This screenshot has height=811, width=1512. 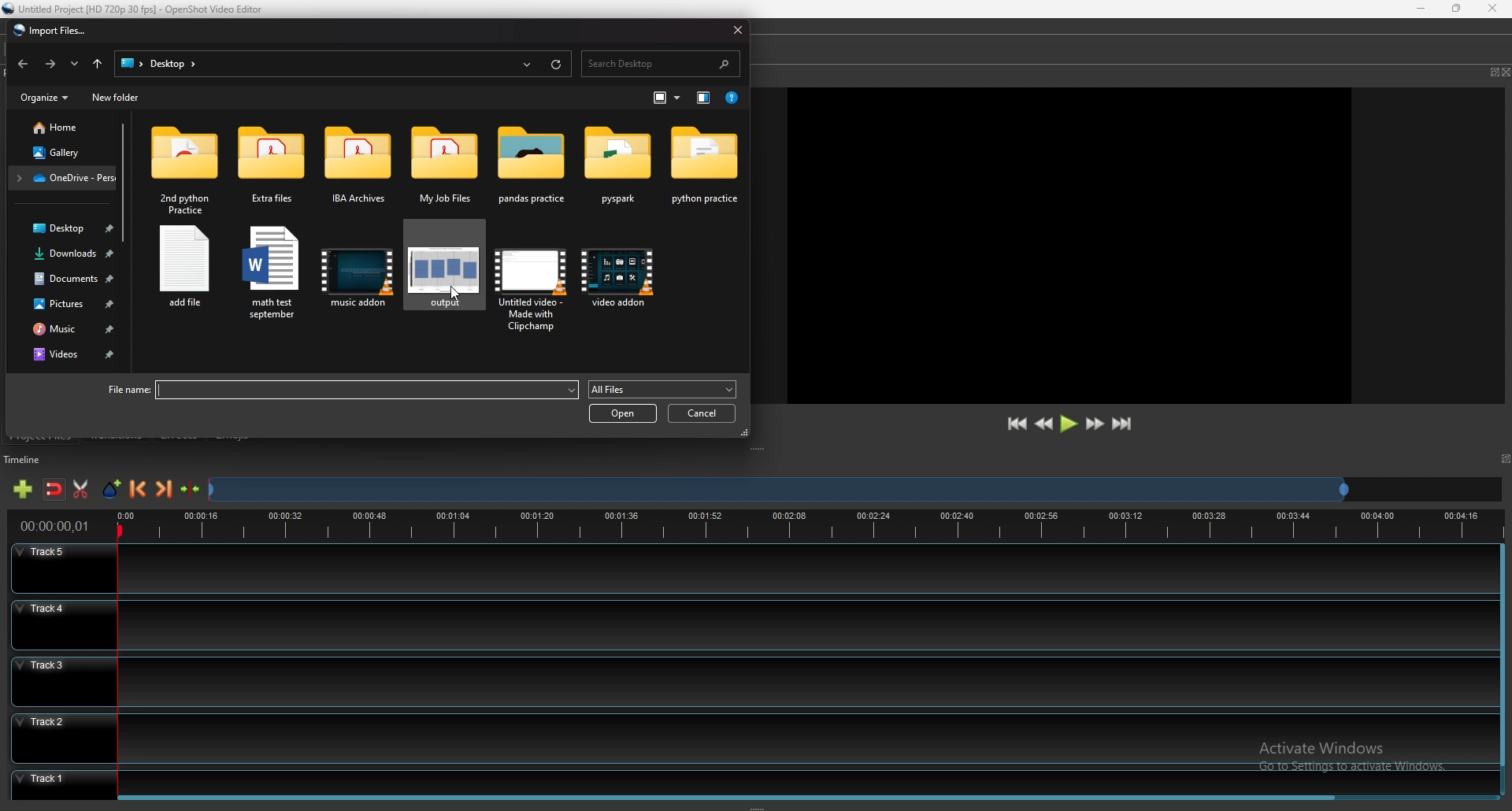 I want to click on gallery, so click(x=62, y=152).